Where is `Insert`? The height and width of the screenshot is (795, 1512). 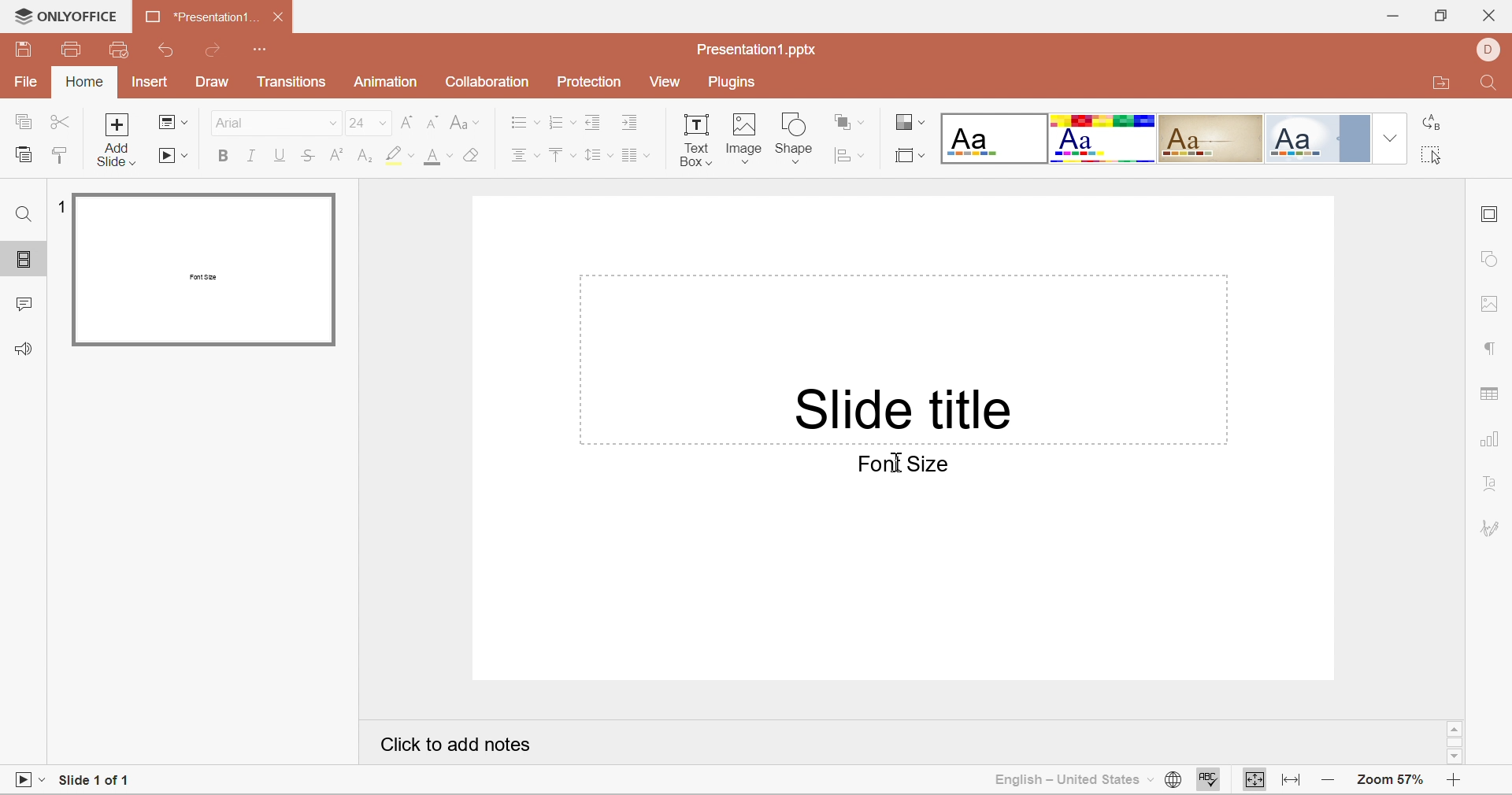
Insert is located at coordinates (150, 83).